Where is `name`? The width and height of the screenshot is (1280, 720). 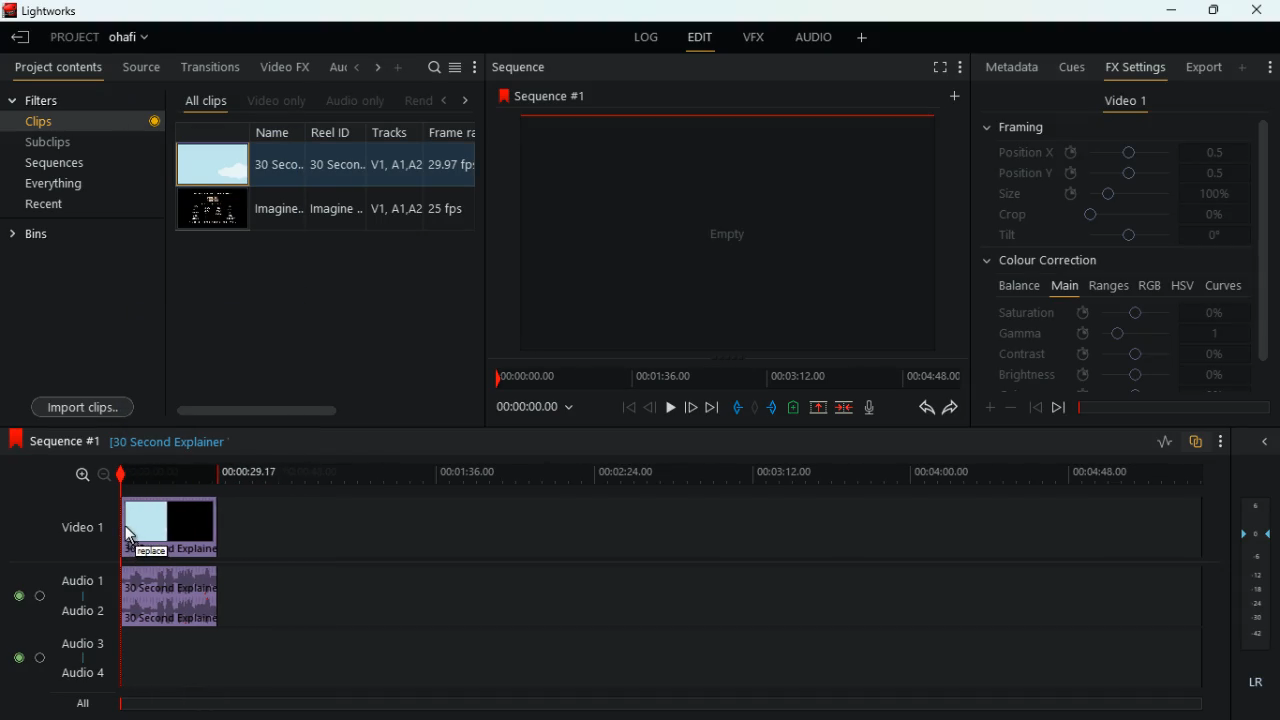
name is located at coordinates (275, 177).